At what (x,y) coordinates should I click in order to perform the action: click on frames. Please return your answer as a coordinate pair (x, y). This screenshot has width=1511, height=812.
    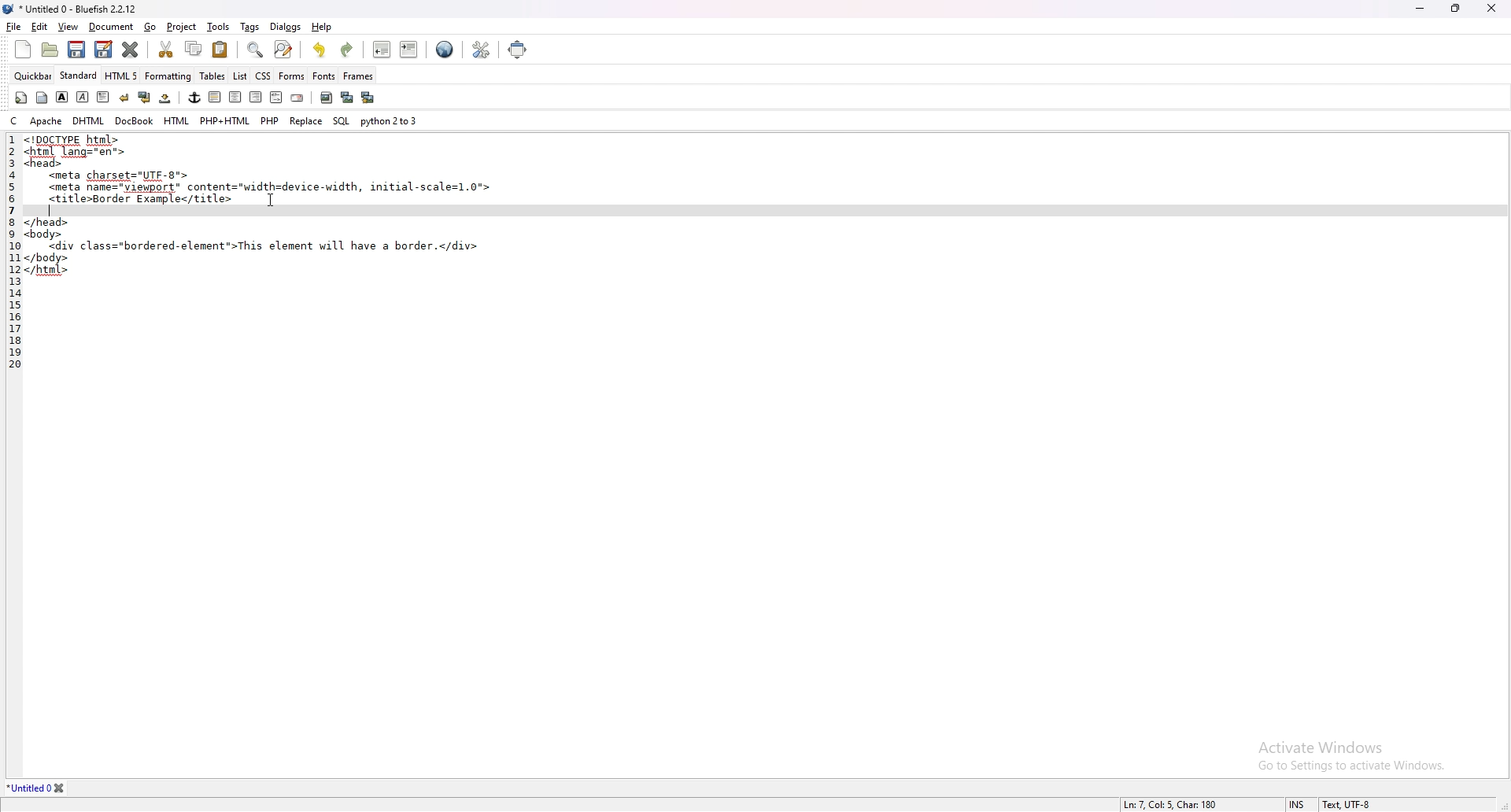
    Looking at the image, I should click on (358, 76).